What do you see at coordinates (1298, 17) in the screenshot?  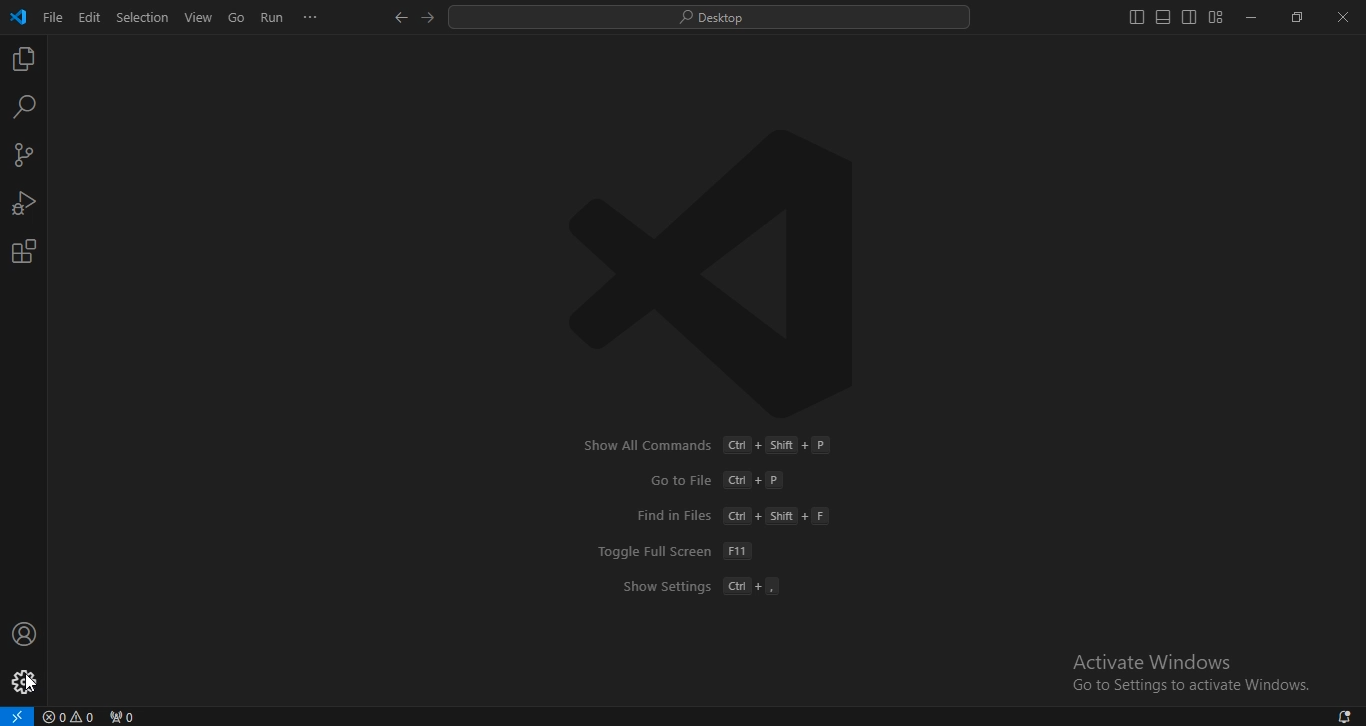 I see `restore` at bounding box center [1298, 17].